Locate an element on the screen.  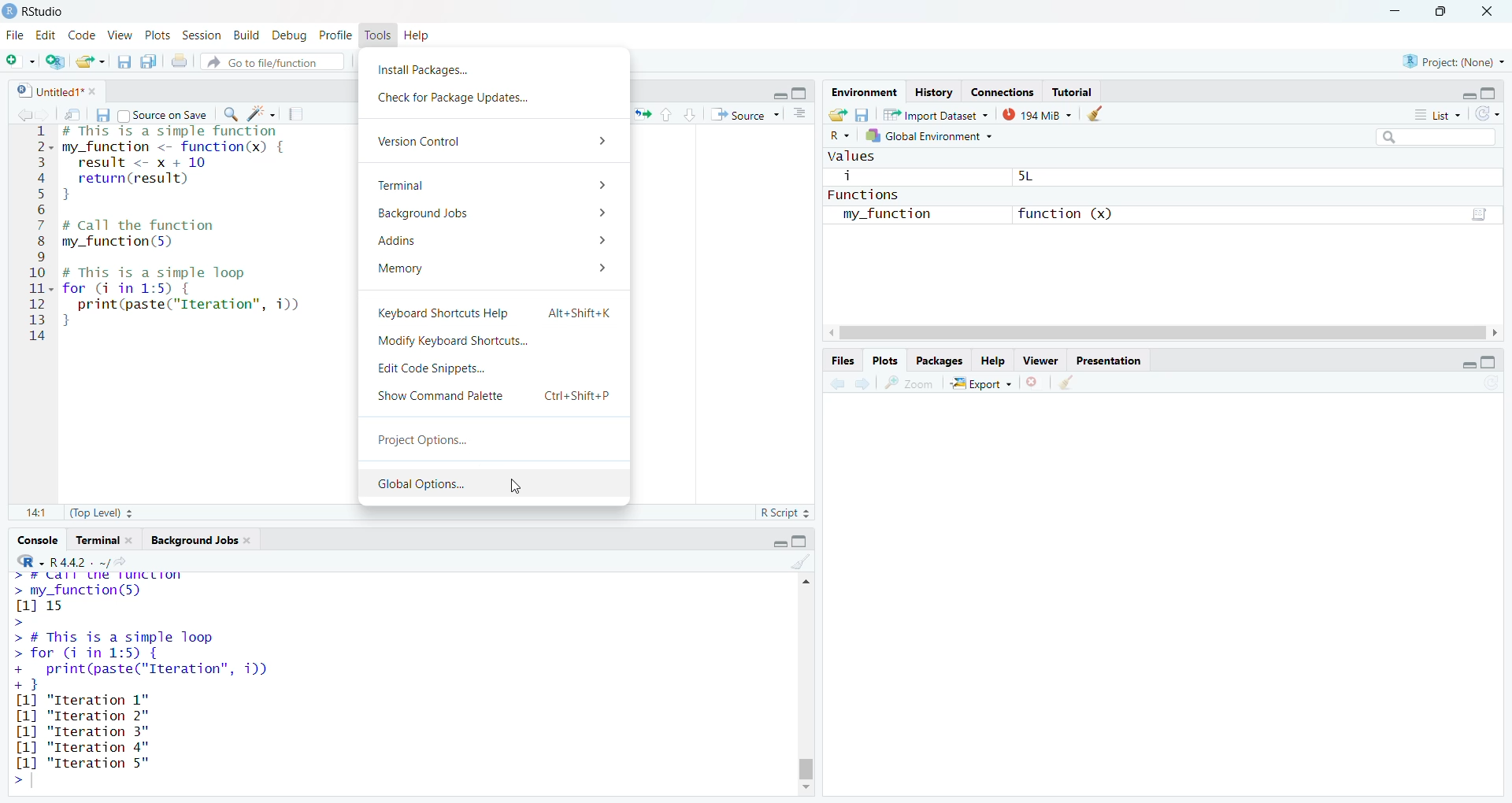
files is located at coordinates (841, 362).